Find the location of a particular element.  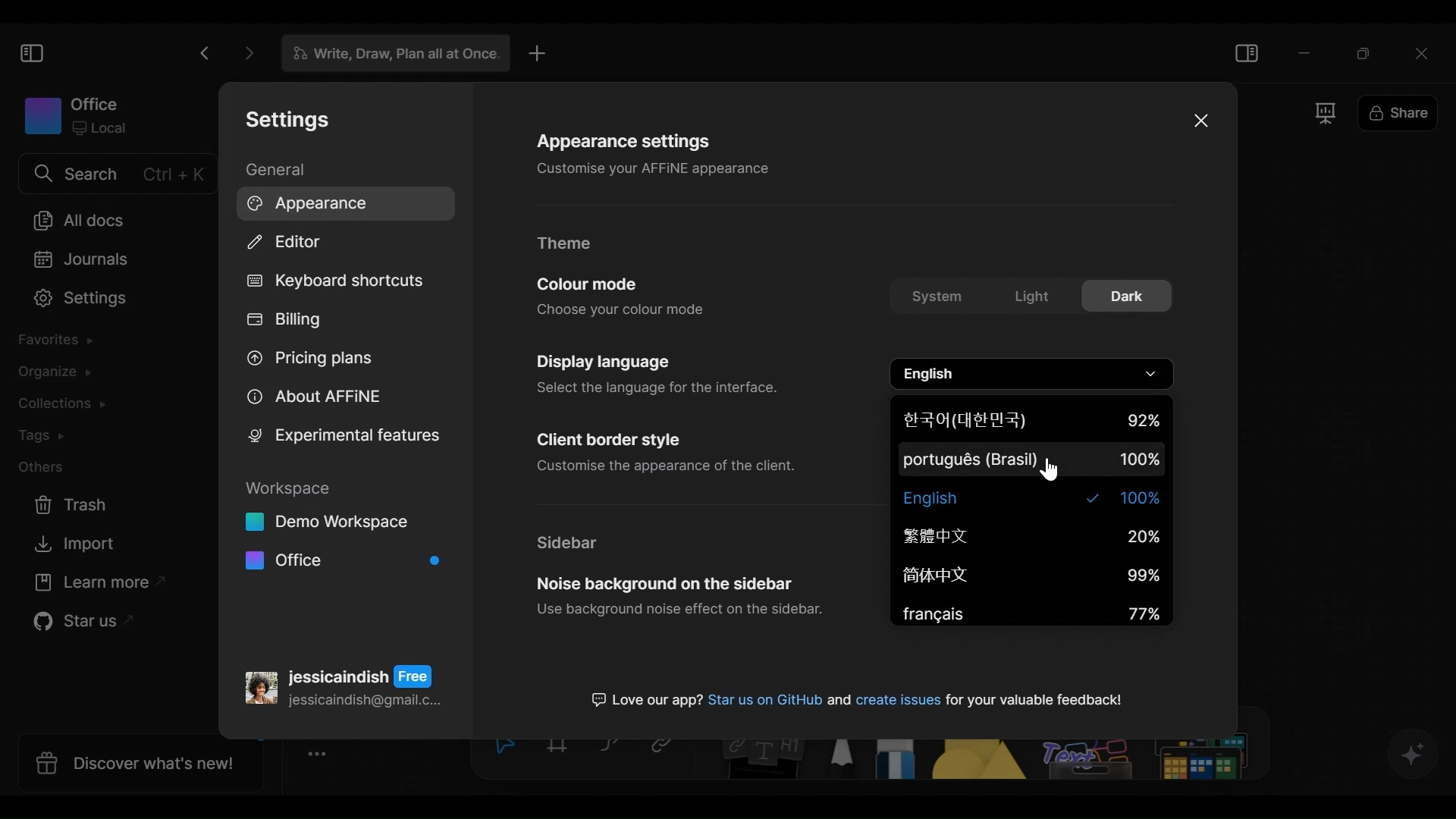

All documents is located at coordinates (78, 220).